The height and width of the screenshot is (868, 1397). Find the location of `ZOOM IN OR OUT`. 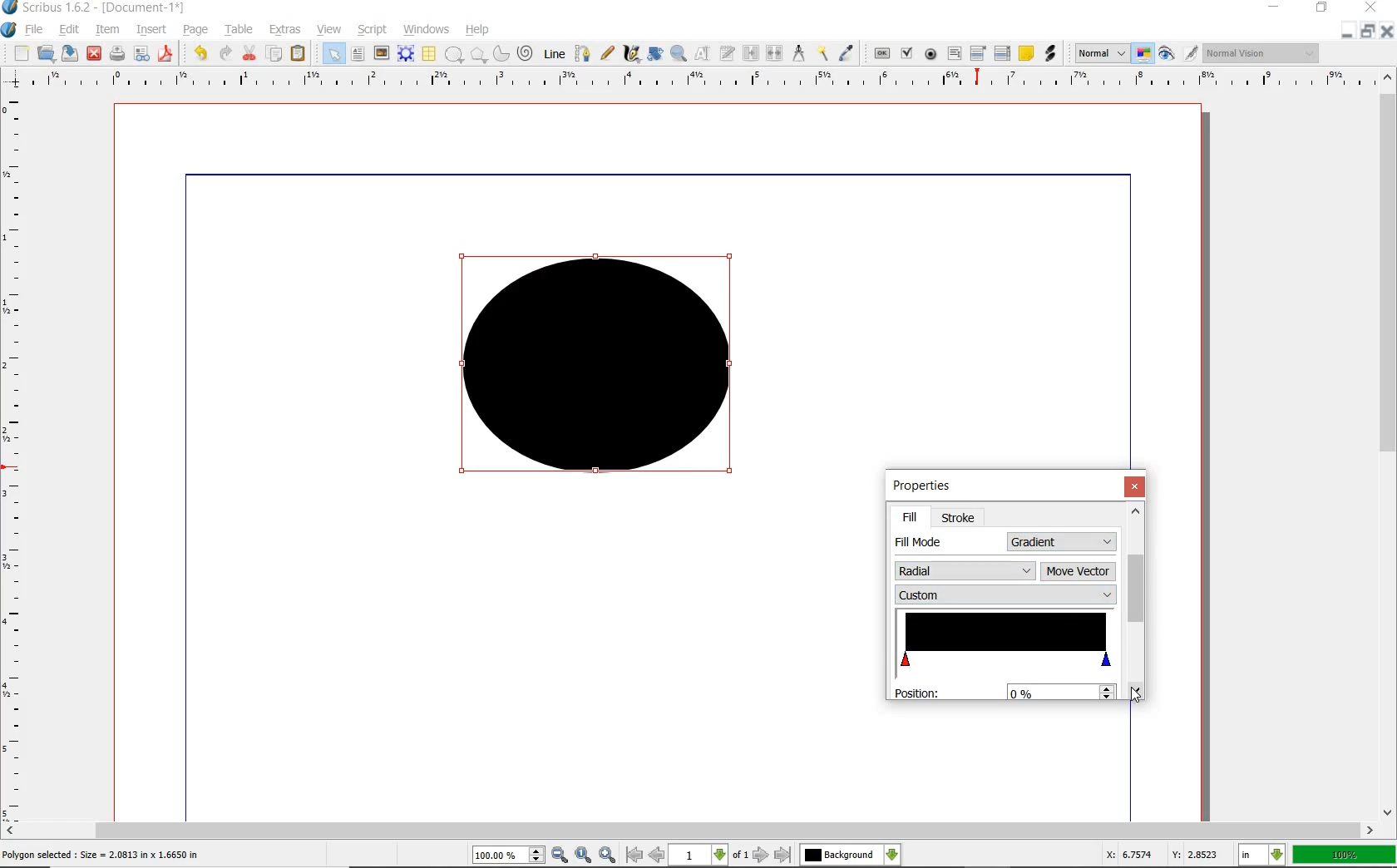

ZOOM IN OR OUT is located at coordinates (678, 54).